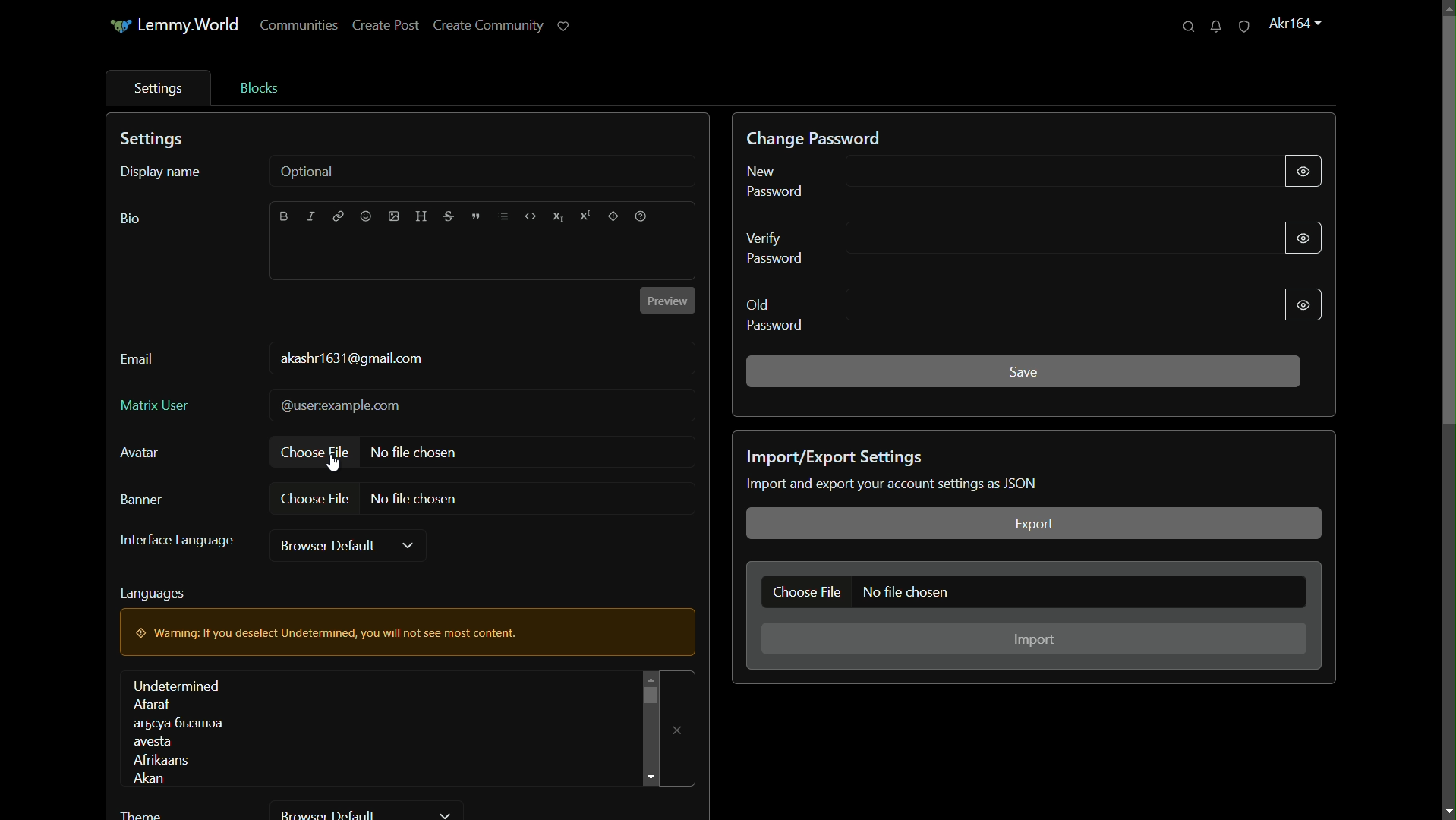 Image resolution: width=1456 pixels, height=820 pixels. I want to click on profile name, so click(1294, 22).